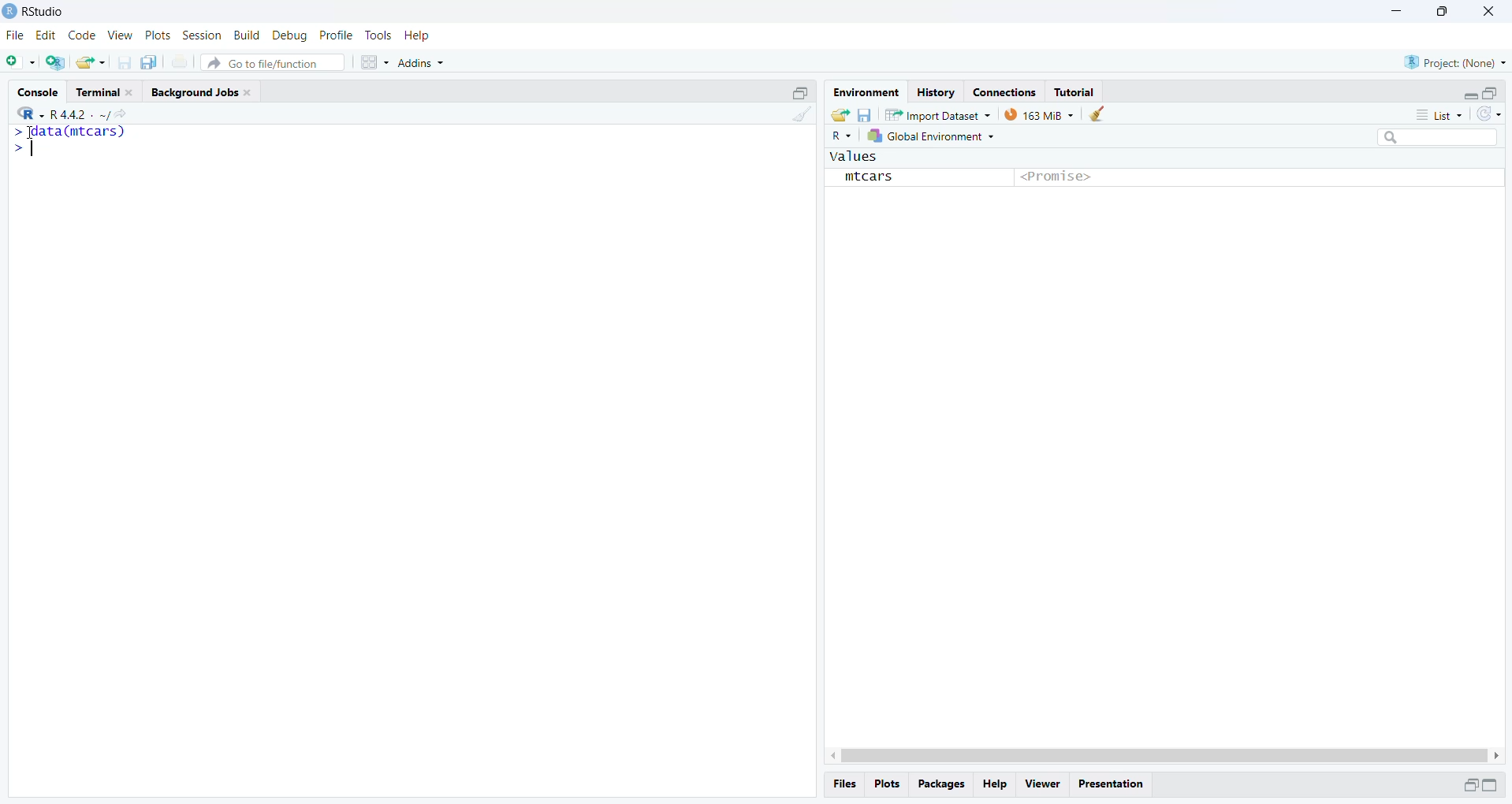 The width and height of the screenshot is (1512, 804). I want to click on minimise, so click(1399, 9).